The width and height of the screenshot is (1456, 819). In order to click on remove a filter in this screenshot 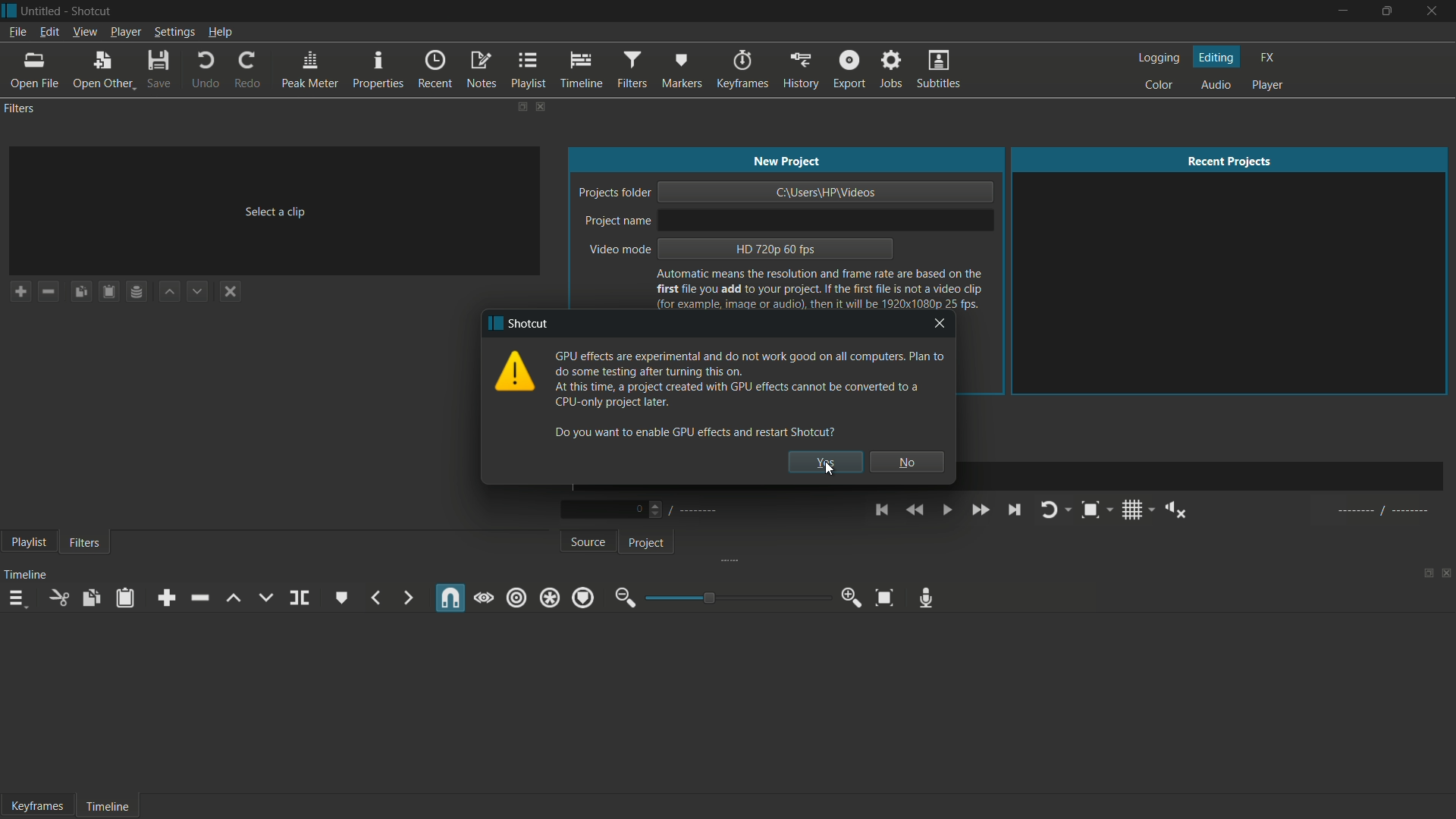, I will do `click(49, 291)`.